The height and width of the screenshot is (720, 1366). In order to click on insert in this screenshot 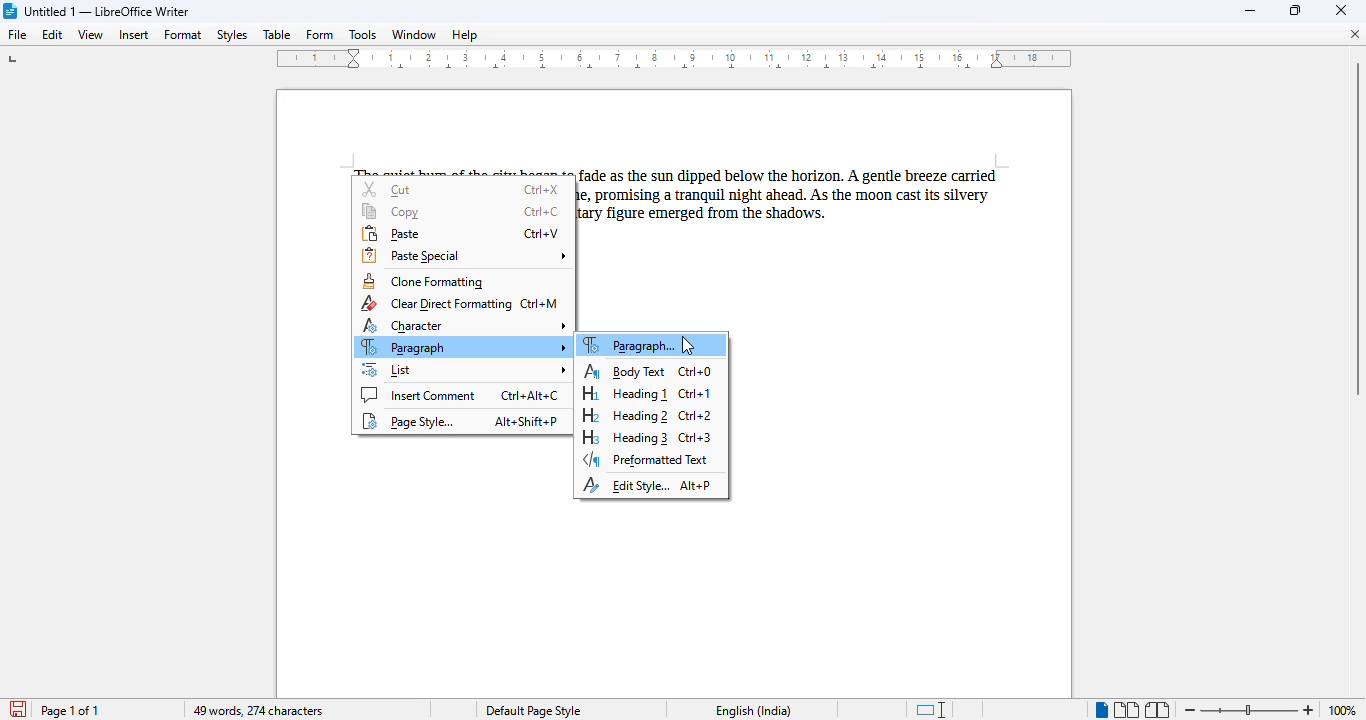, I will do `click(134, 35)`.